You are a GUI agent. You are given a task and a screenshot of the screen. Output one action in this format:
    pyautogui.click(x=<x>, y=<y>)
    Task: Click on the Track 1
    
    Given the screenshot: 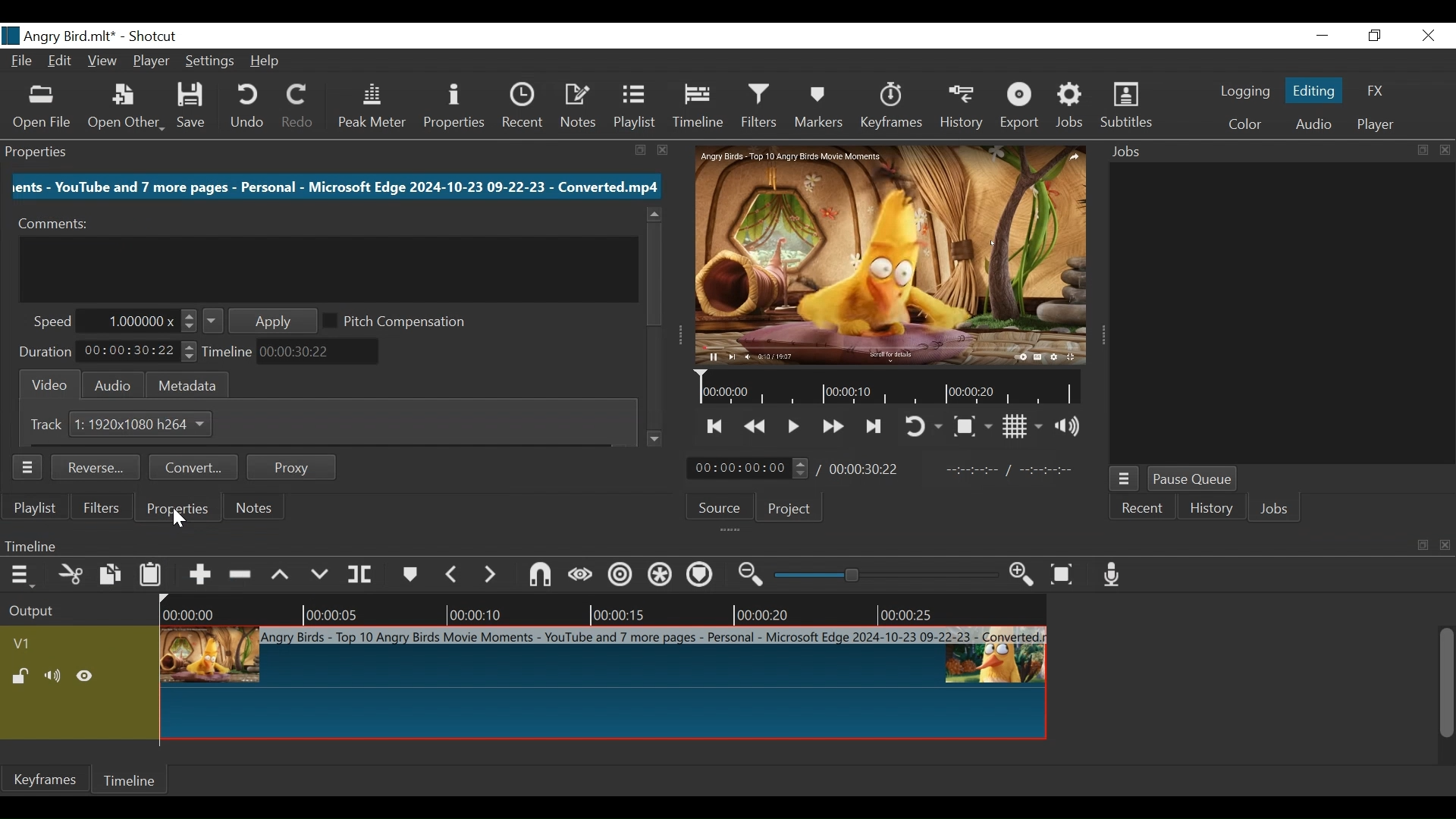 What is the action you would take?
    pyautogui.click(x=54, y=424)
    